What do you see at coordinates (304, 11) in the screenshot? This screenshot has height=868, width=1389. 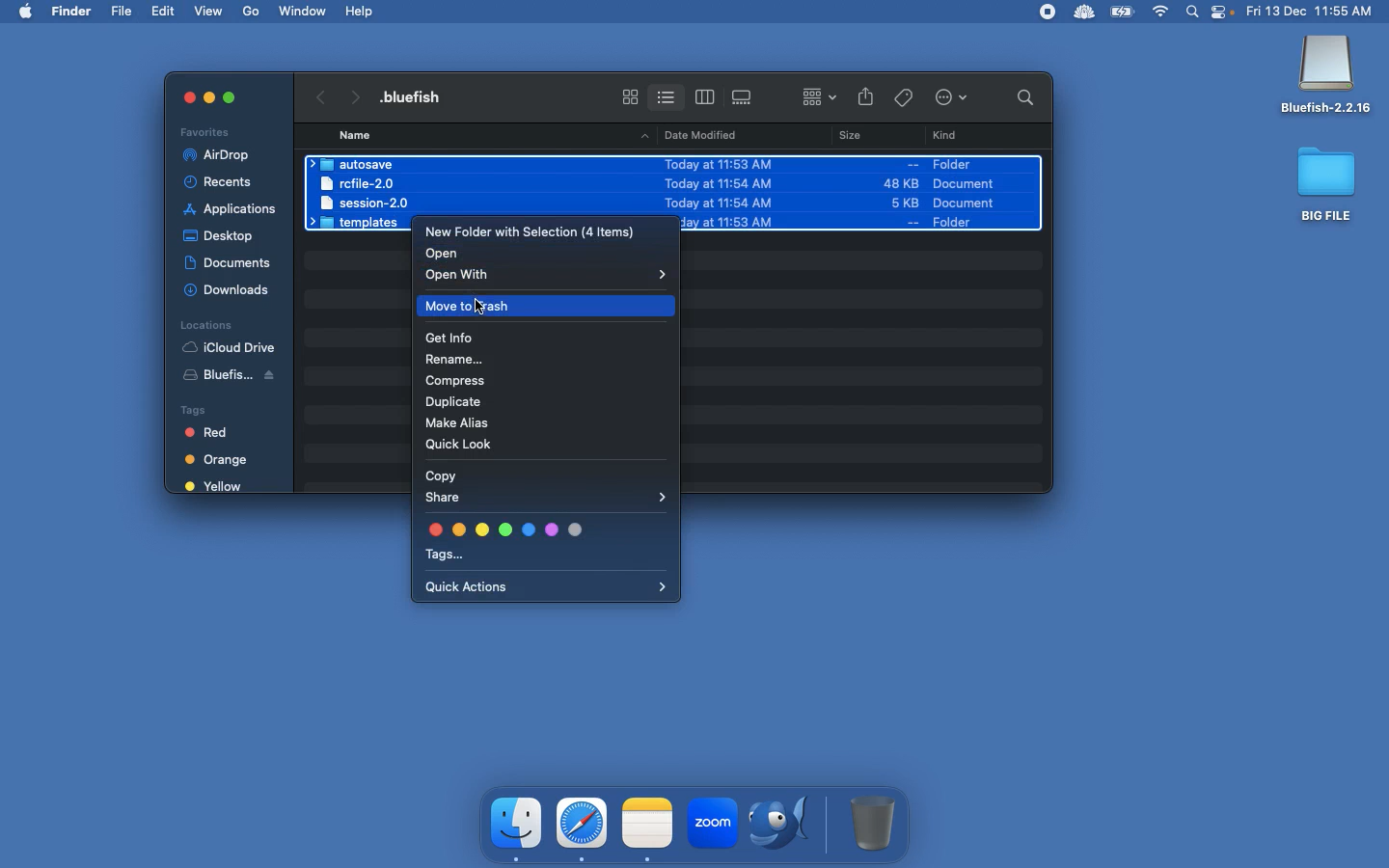 I see `Window` at bounding box center [304, 11].